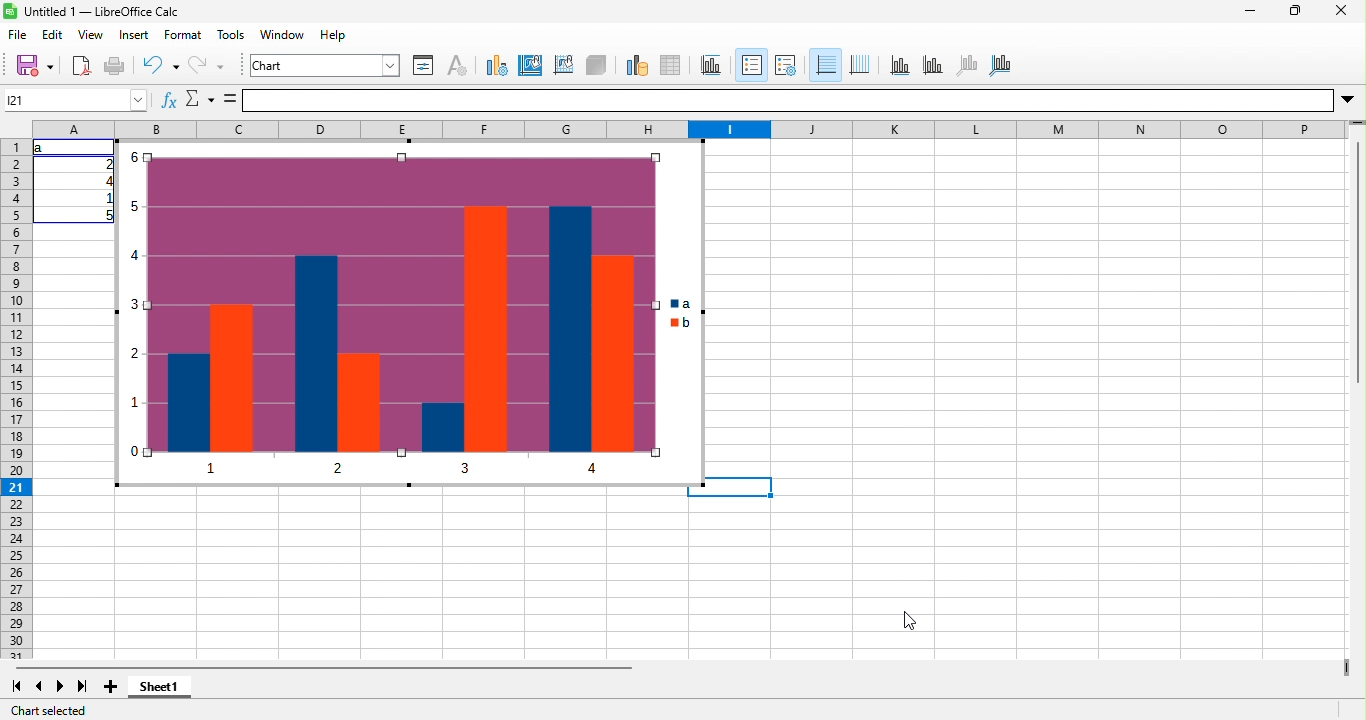 The width and height of the screenshot is (1366, 720). What do you see at coordinates (910, 620) in the screenshot?
I see `cursor` at bounding box center [910, 620].